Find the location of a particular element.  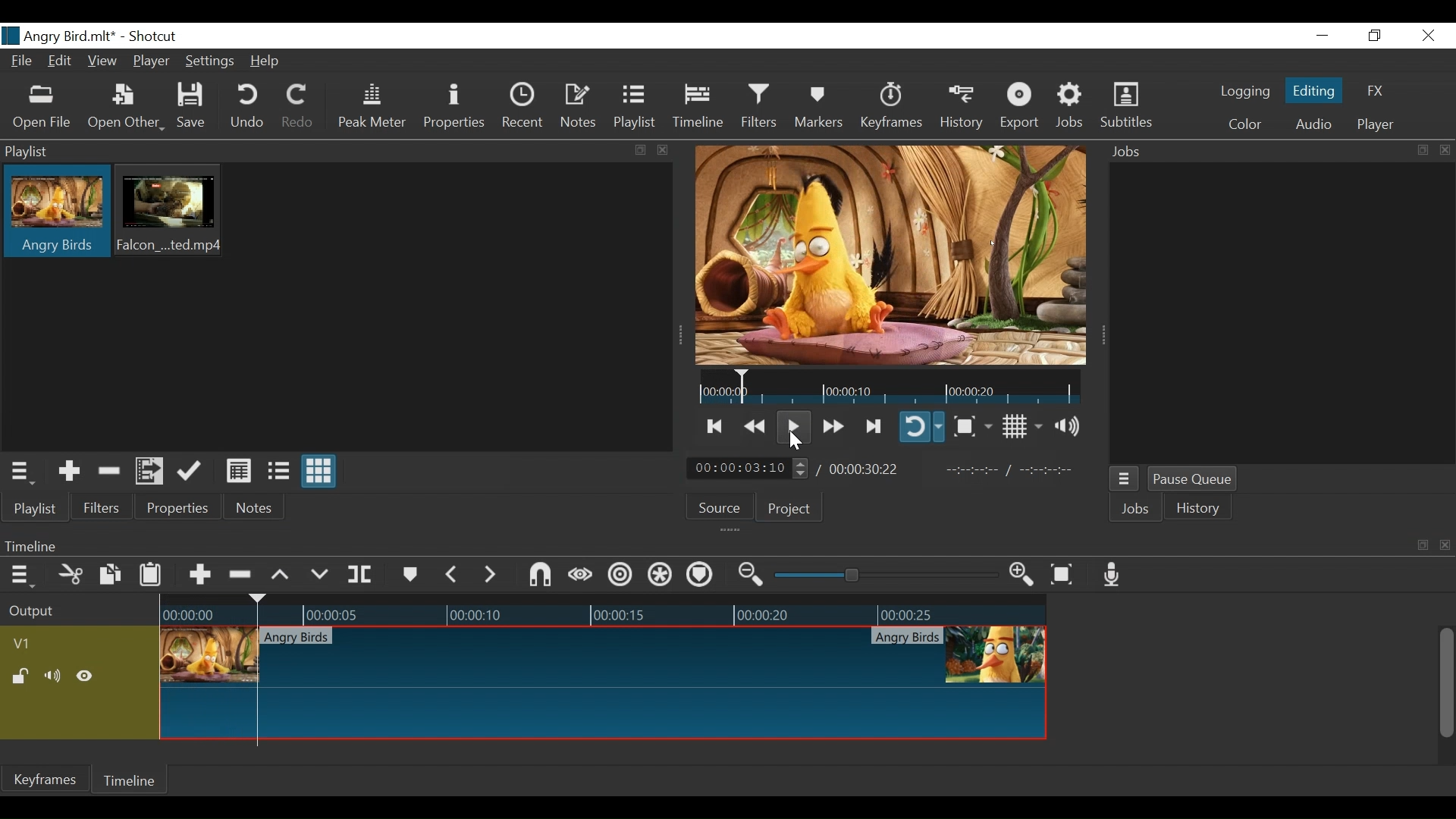

Colr is located at coordinates (1244, 124).